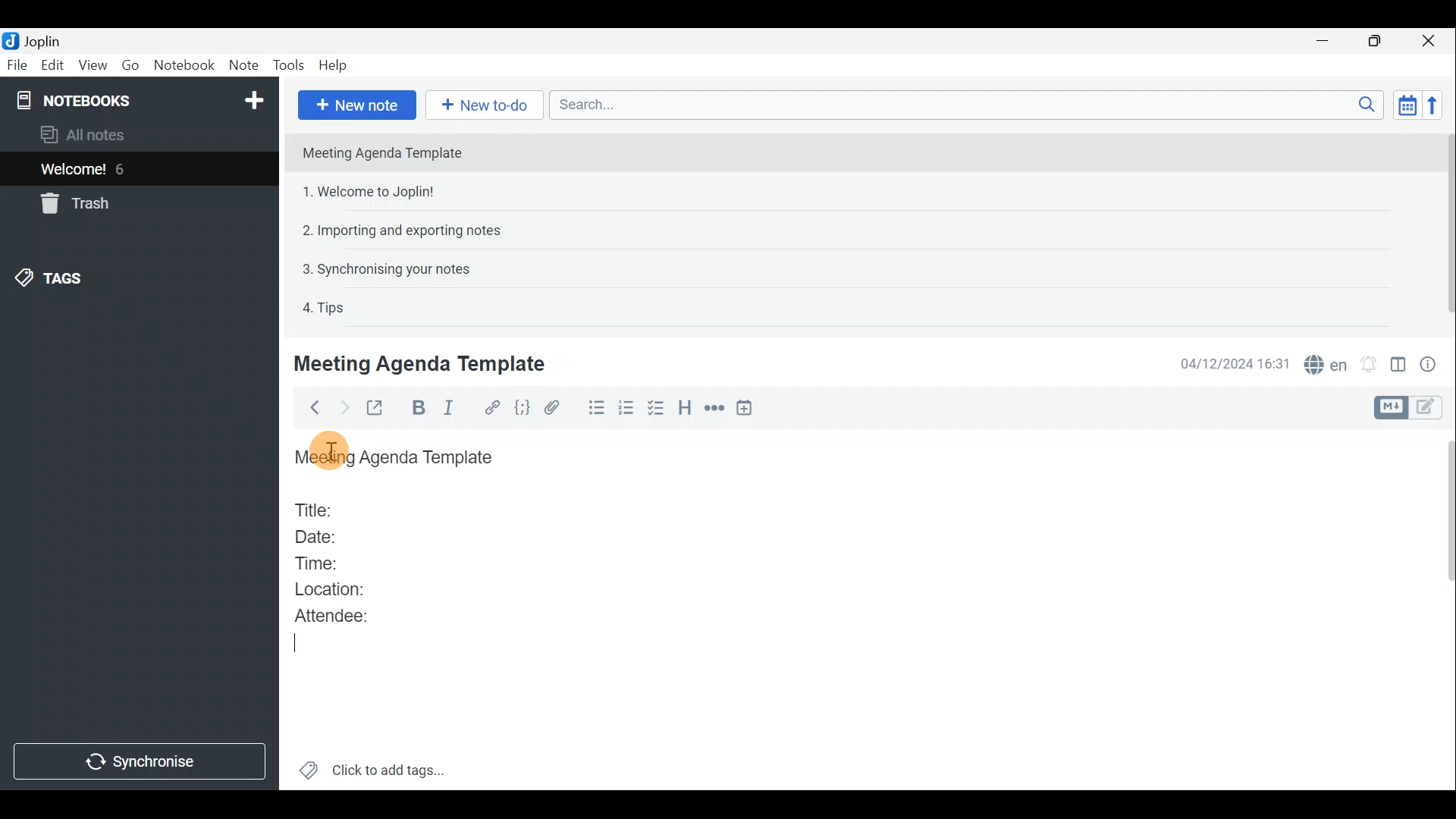  Describe the element at coordinates (494, 407) in the screenshot. I see `Hyperlink` at that location.